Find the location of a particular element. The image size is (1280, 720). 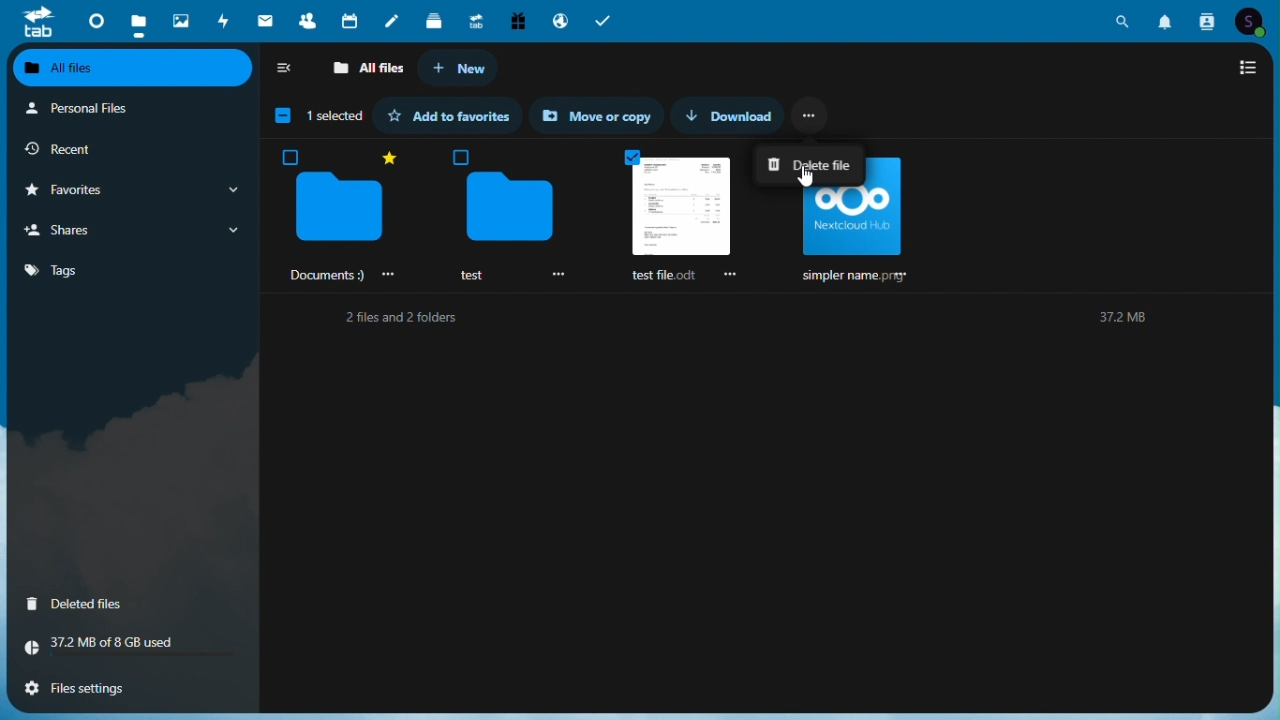

cursor is located at coordinates (808, 174).